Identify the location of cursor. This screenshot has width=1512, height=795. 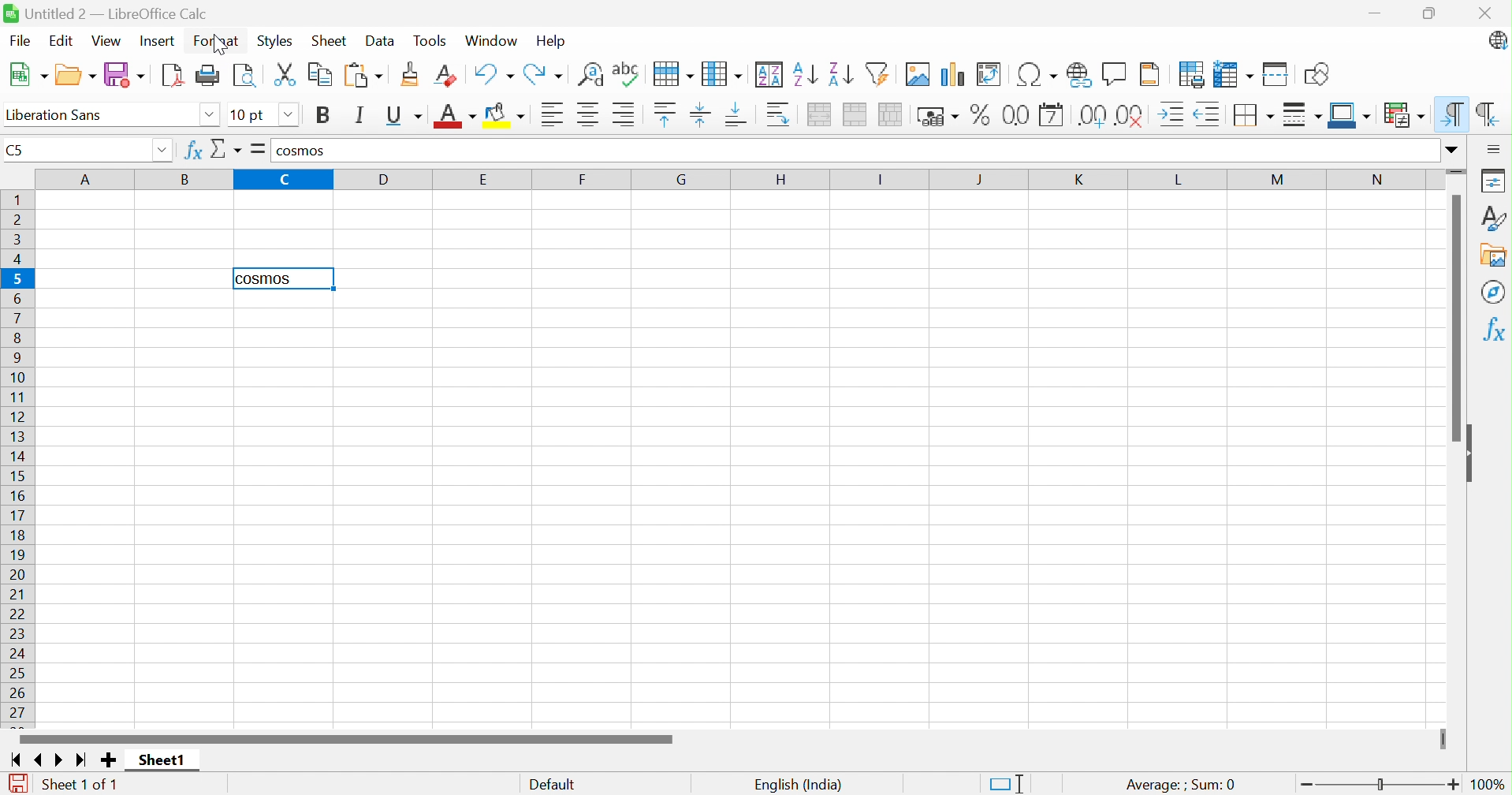
(225, 49).